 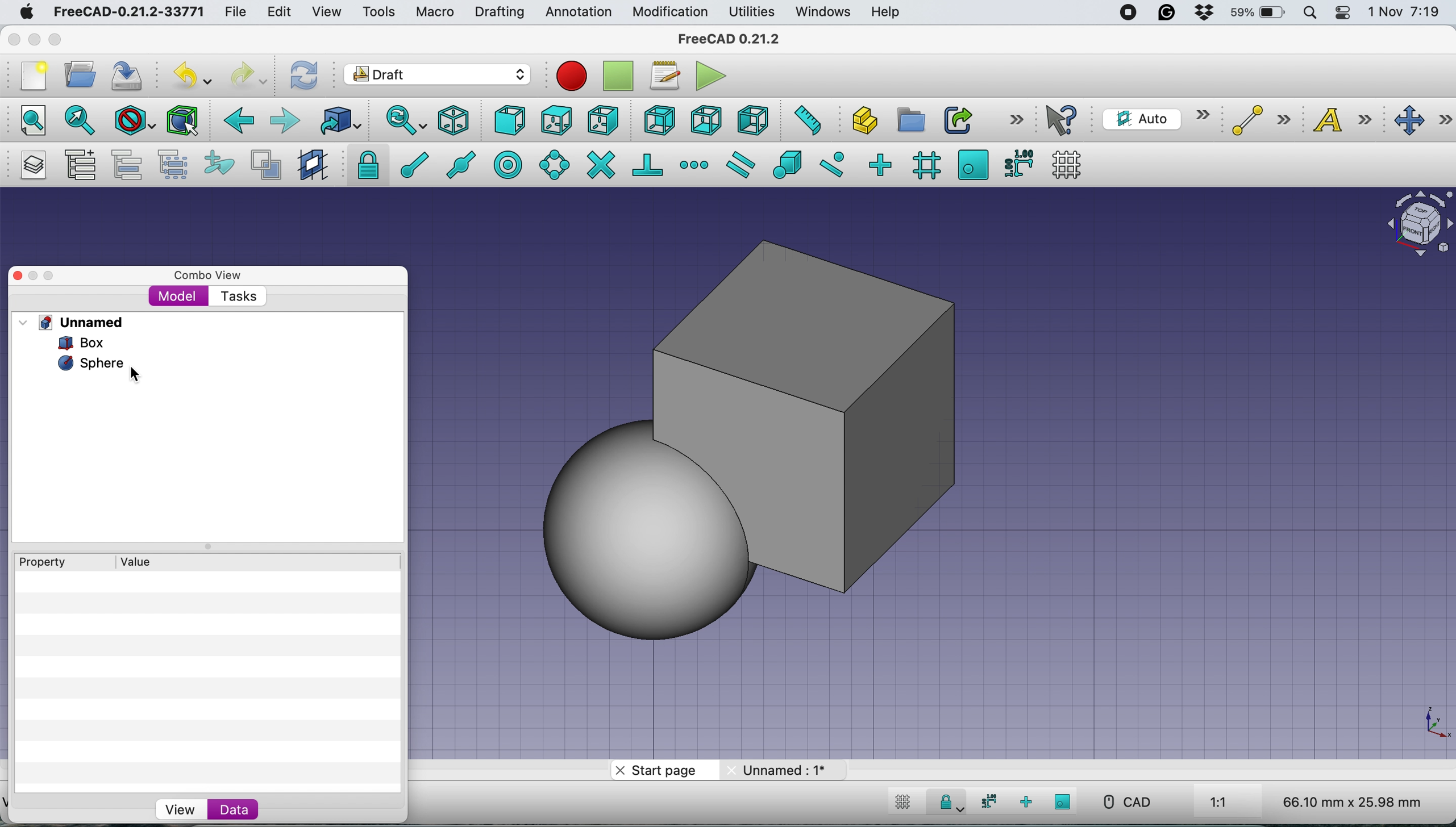 I want to click on add to construction group, so click(x=222, y=164).